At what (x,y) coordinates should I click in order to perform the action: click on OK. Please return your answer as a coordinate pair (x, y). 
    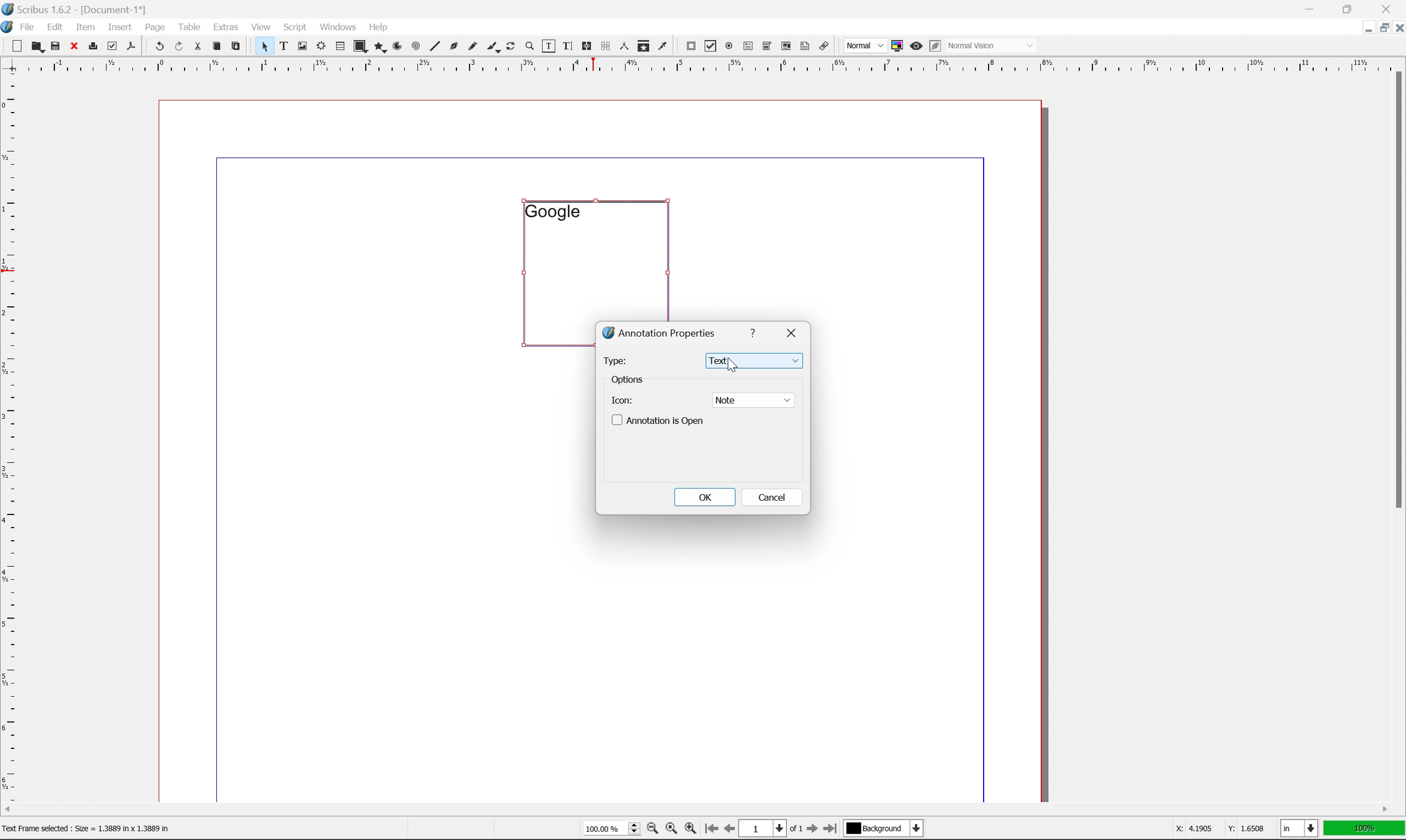
    Looking at the image, I should click on (706, 498).